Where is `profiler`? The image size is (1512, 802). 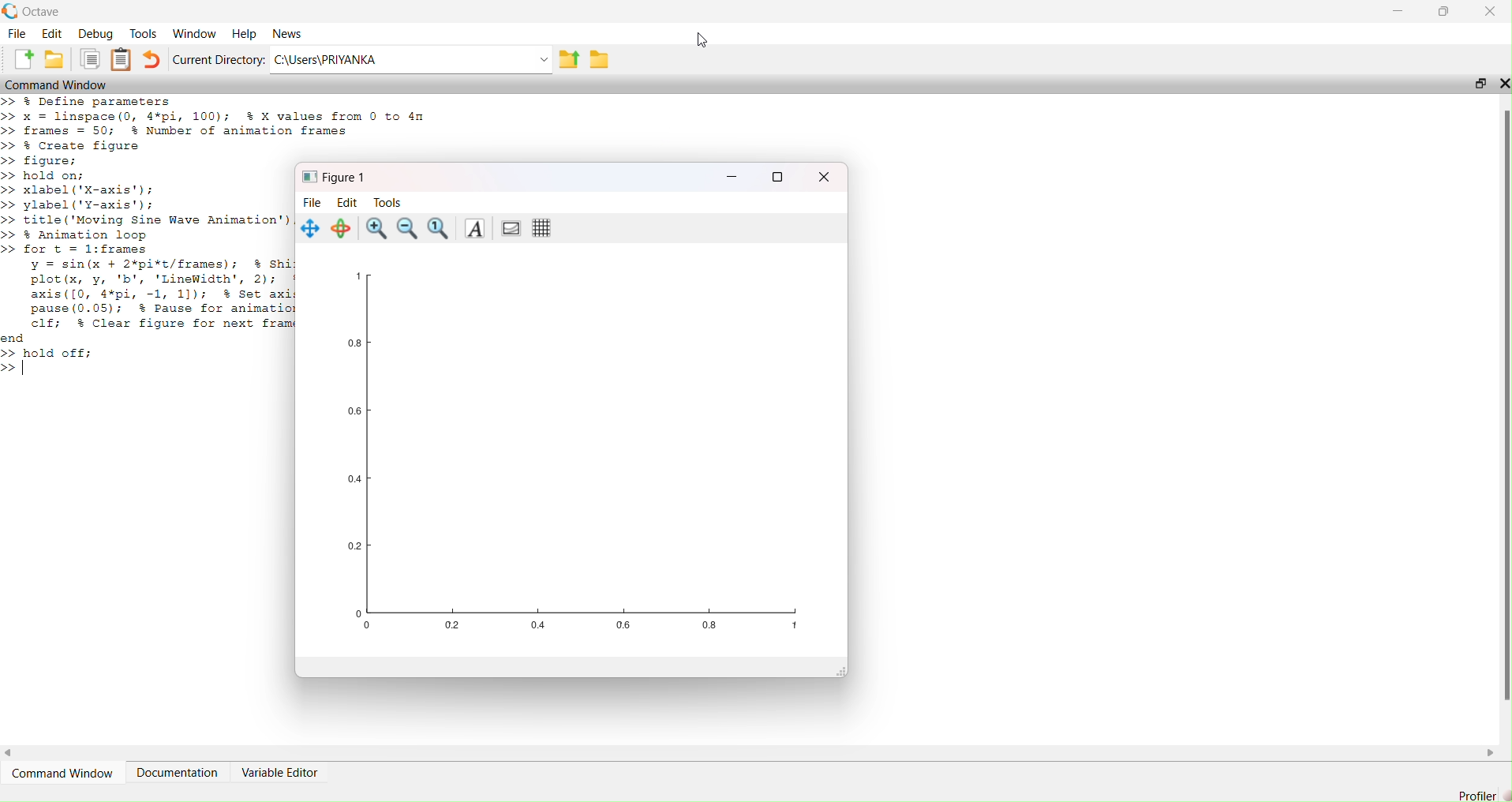
profiler is located at coordinates (1478, 795).